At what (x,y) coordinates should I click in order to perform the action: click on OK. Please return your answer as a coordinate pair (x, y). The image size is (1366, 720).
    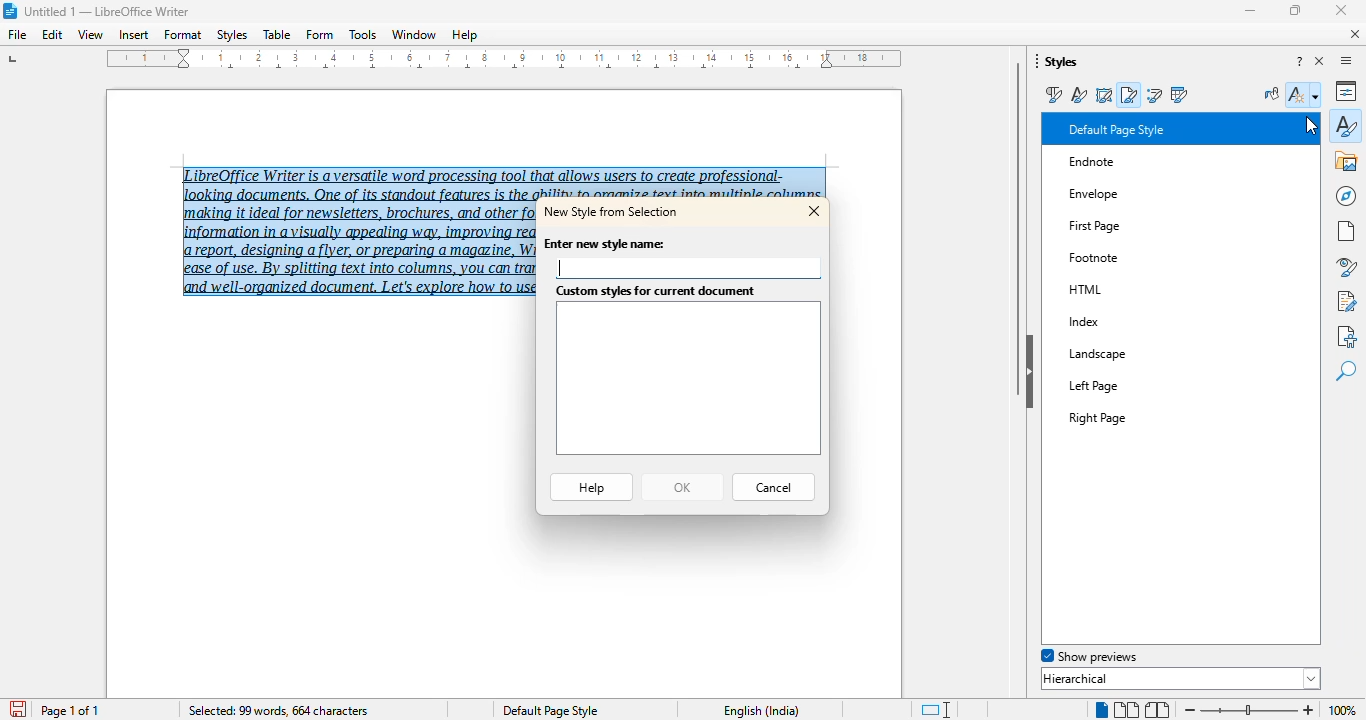
    Looking at the image, I should click on (680, 488).